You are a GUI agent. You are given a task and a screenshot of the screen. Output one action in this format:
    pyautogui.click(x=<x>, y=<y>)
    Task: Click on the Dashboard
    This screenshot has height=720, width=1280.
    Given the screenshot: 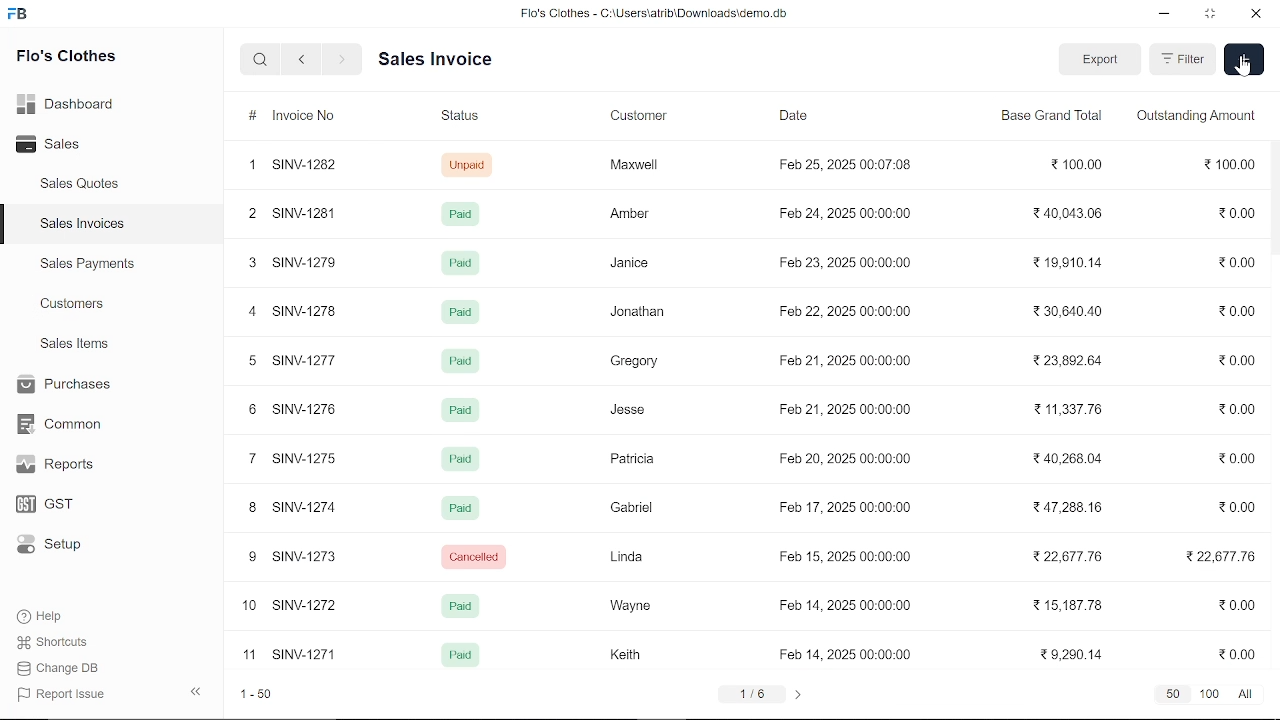 What is the action you would take?
    pyautogui.click(x=70, y=103)
    